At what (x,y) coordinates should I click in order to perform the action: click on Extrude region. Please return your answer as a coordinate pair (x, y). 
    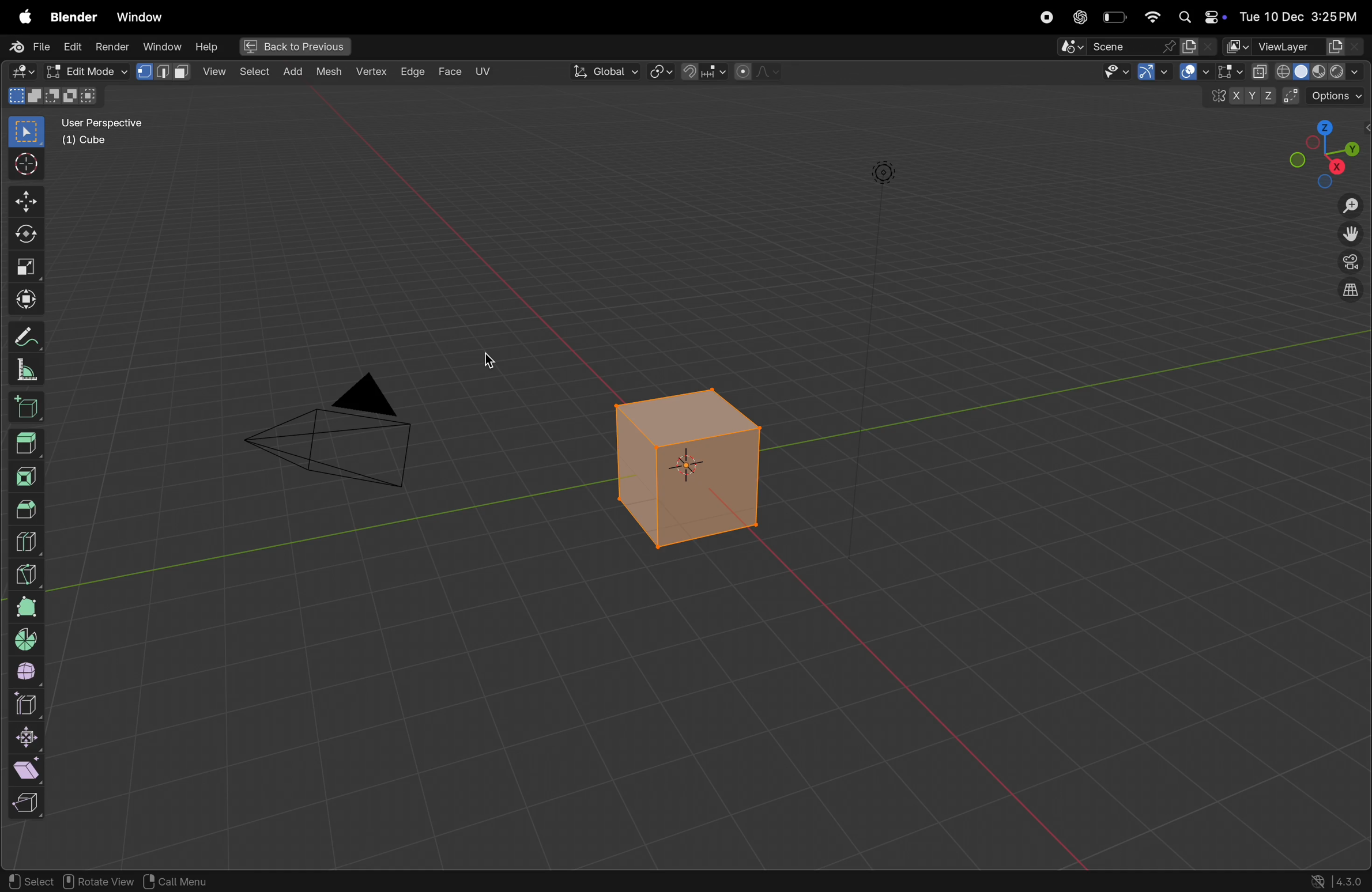
    Looking at the image, I should click on (27, 444).